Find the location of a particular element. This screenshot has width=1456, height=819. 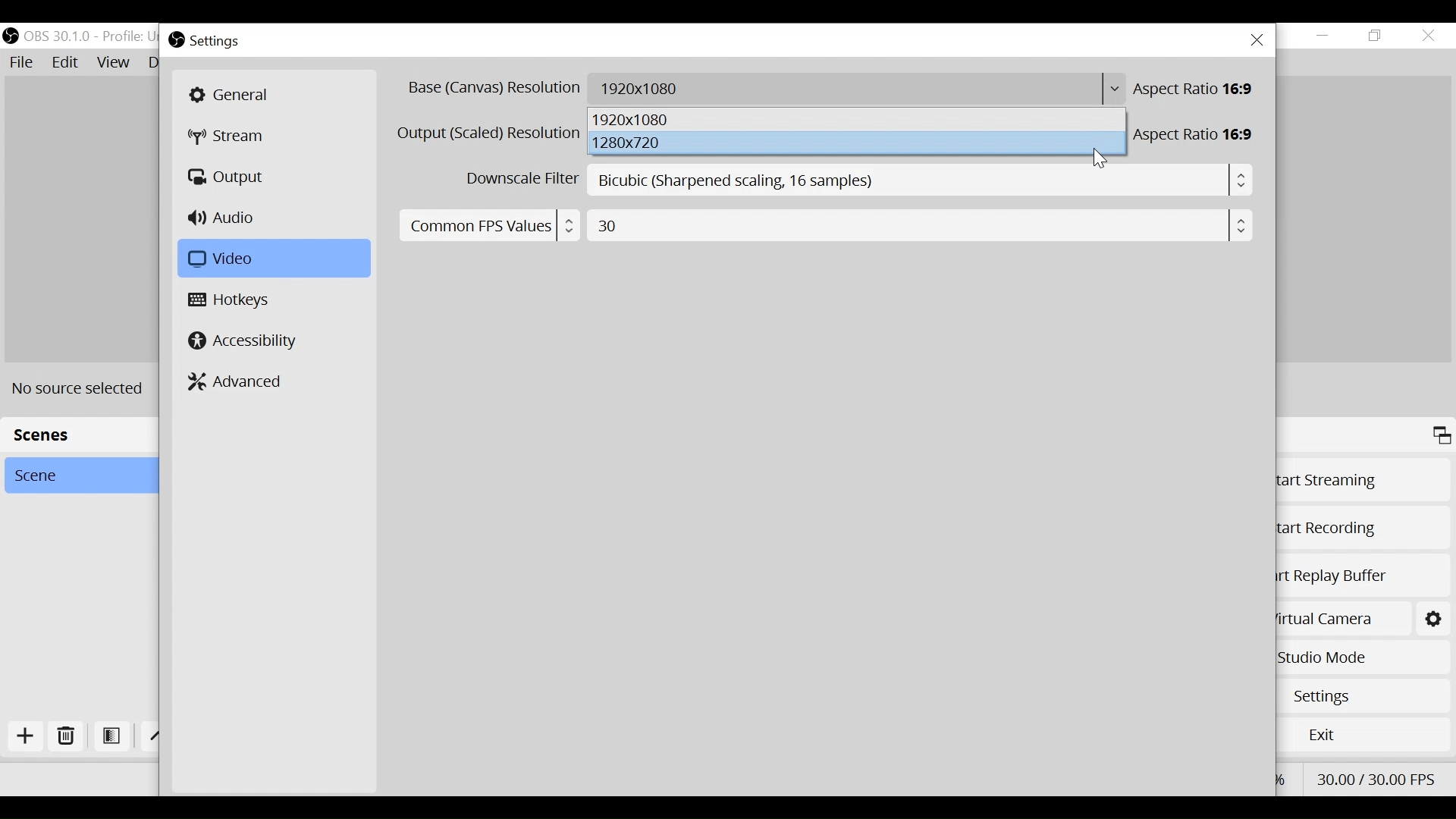

Settings is located at coordinates (1432, 617).